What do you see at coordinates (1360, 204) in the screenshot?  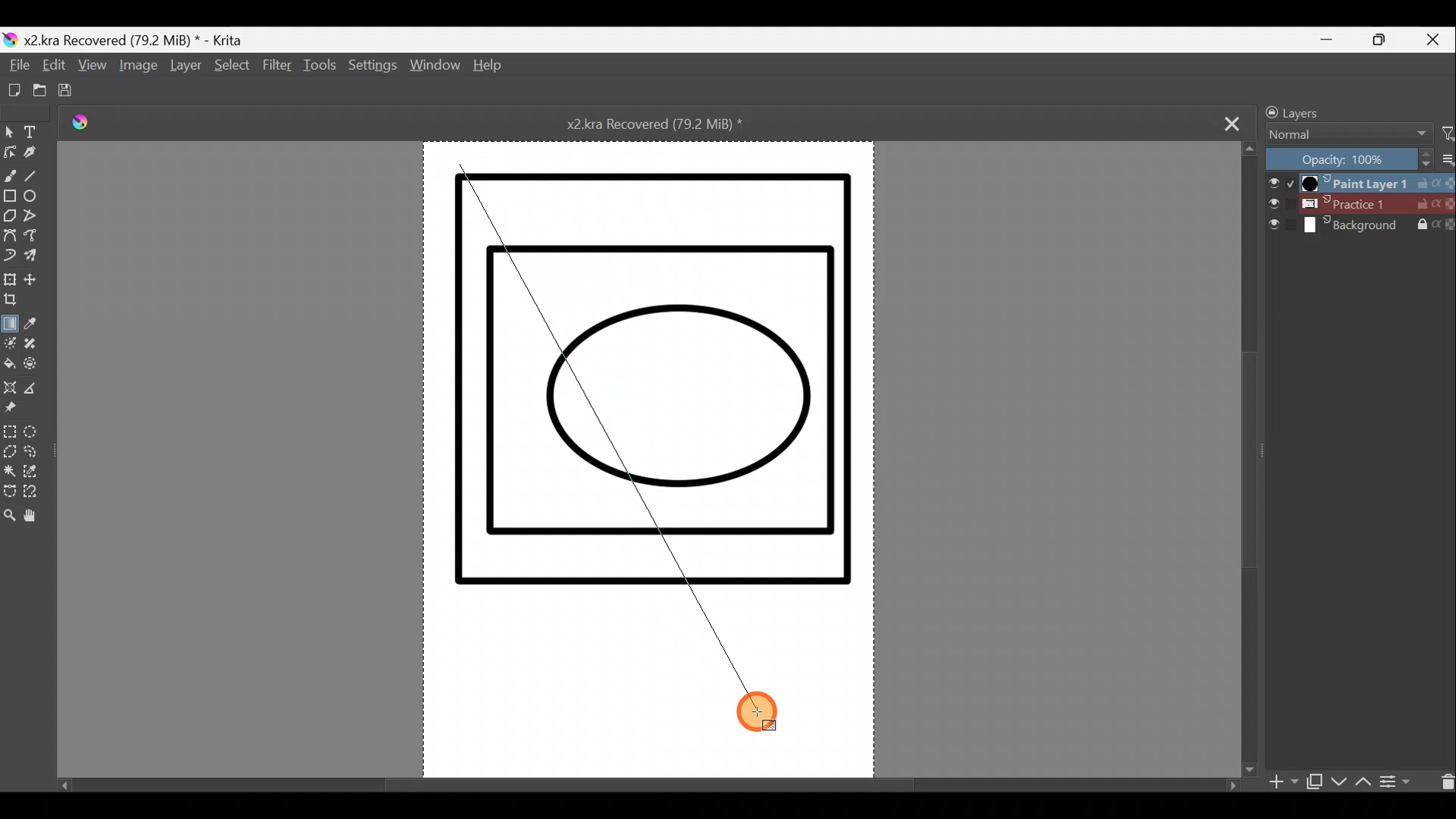 I see `Layer 2` at bounding box center [1360, 204].